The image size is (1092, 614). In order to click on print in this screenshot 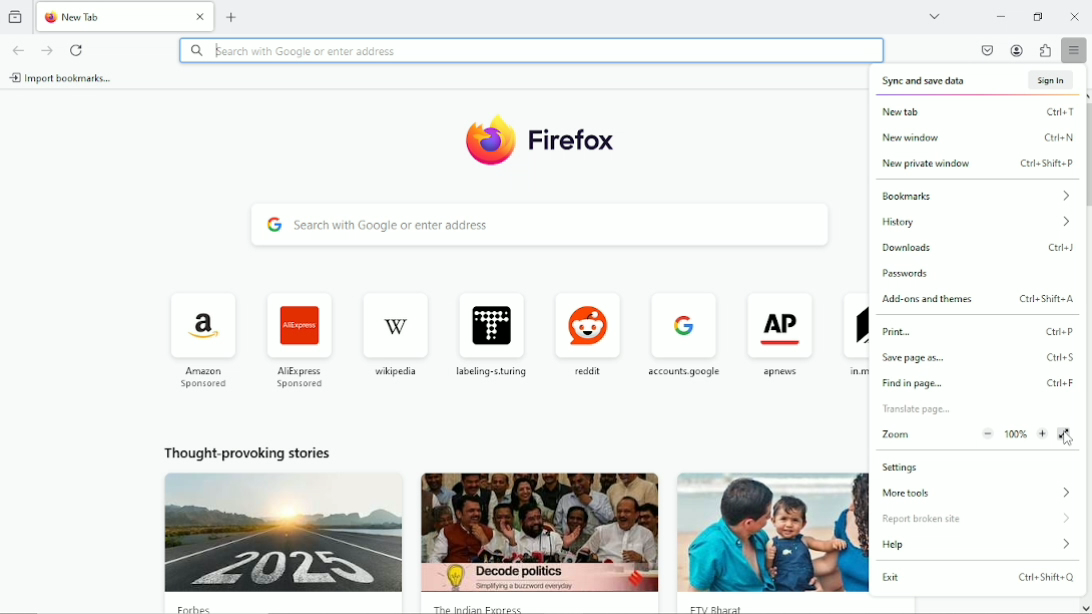, I will do `click(982, 333)`.